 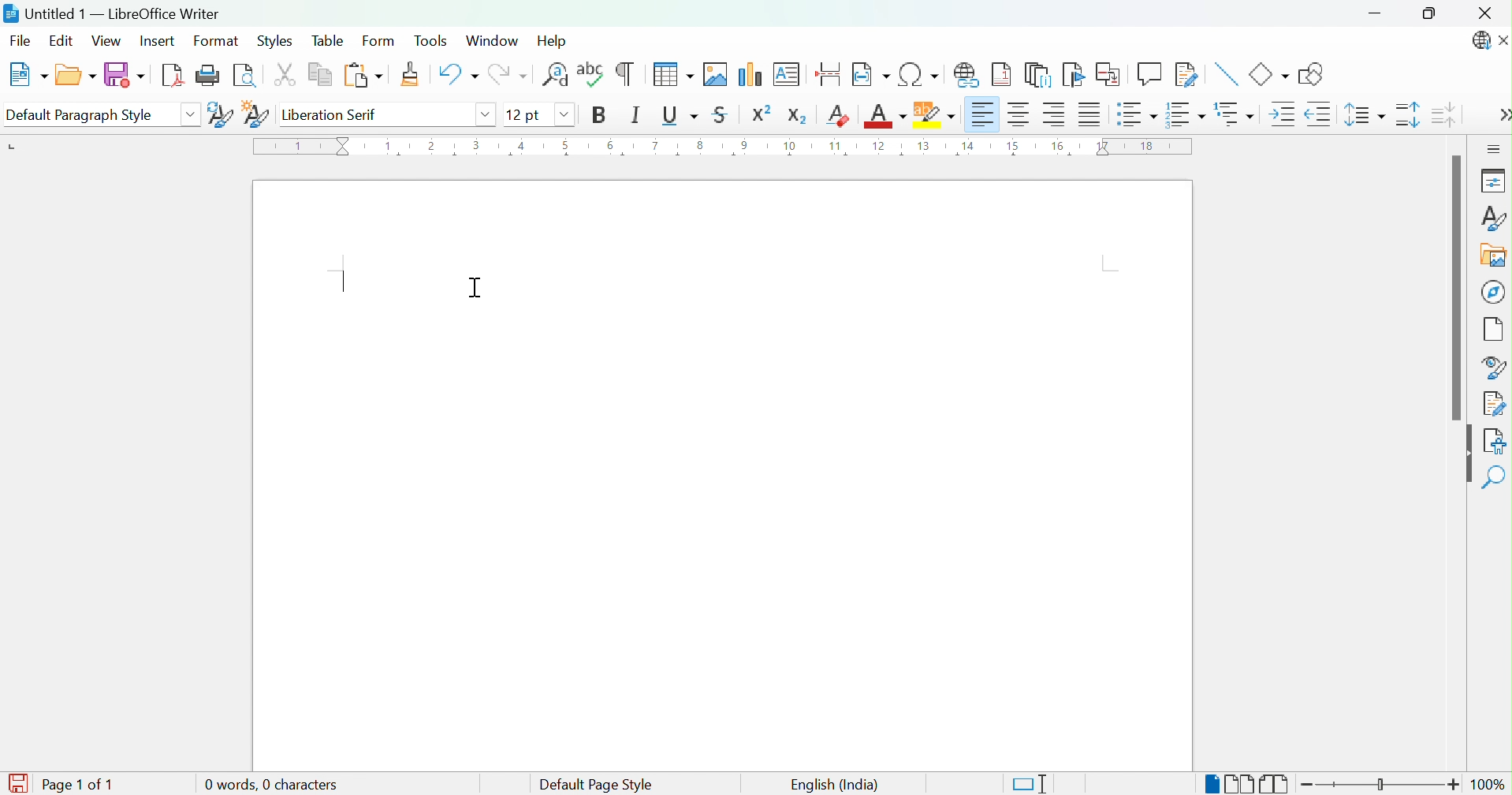 I want to click on Insert Field, so click(x=869, y=73).